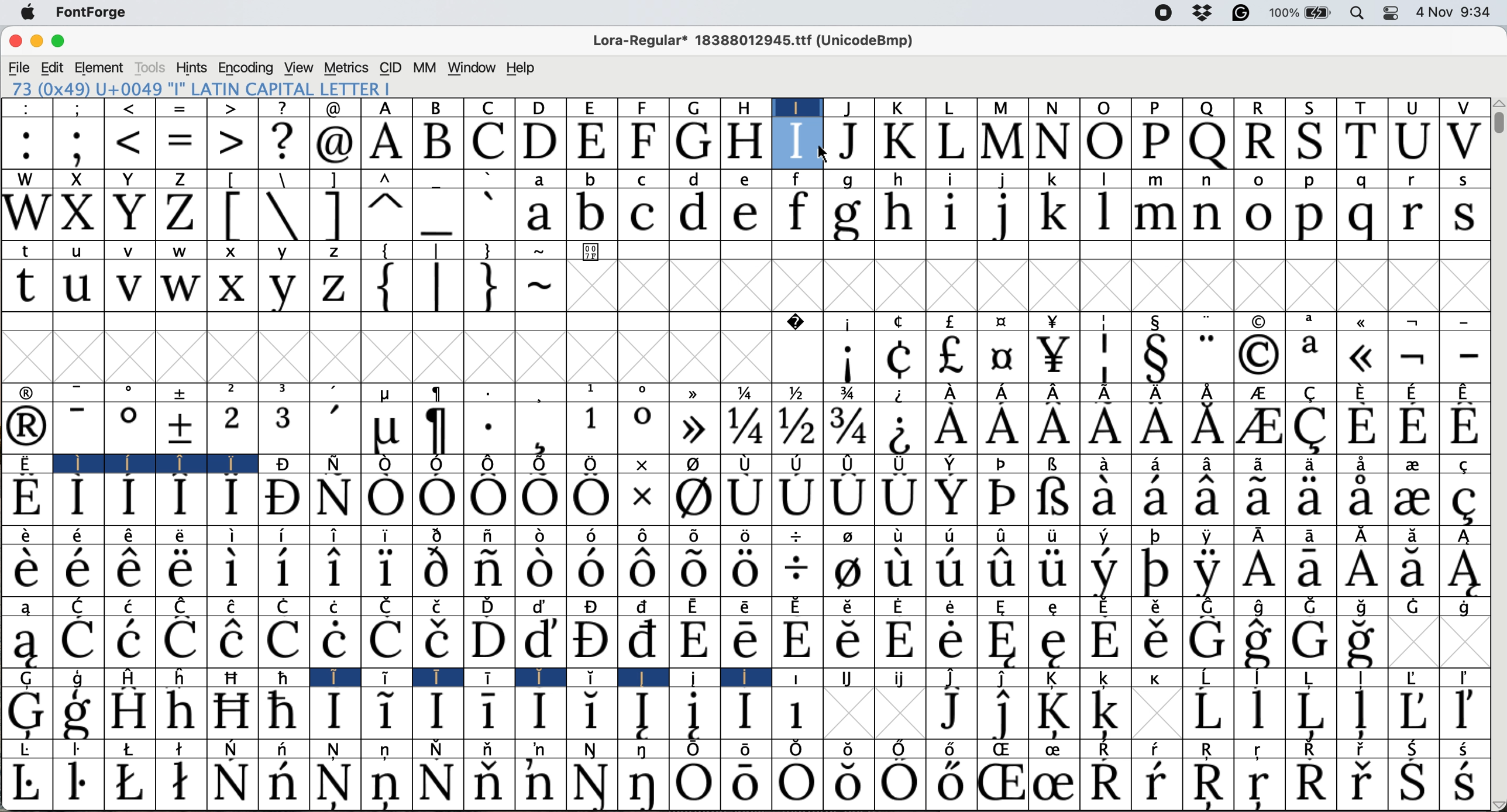 This screenshot has height=812, width=1507. What do you see at coordinates (487, 177) in the screenshot?
I see ``` at bounding box center [487, 177].